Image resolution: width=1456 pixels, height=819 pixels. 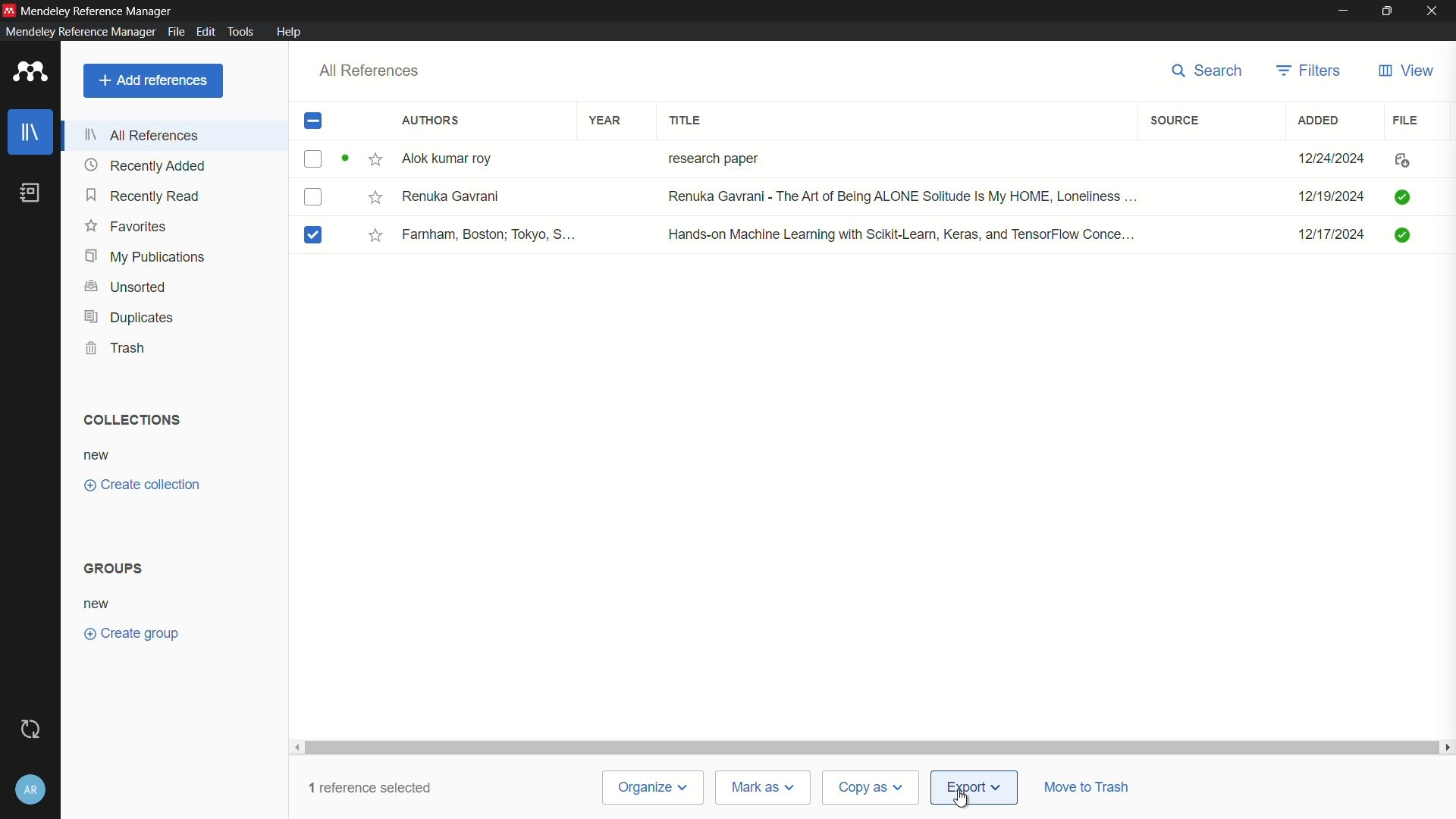 What do you see at coordinates (375, 787) in the screenshot?
I see `1 reference selected` at bounding box center [375, 787].